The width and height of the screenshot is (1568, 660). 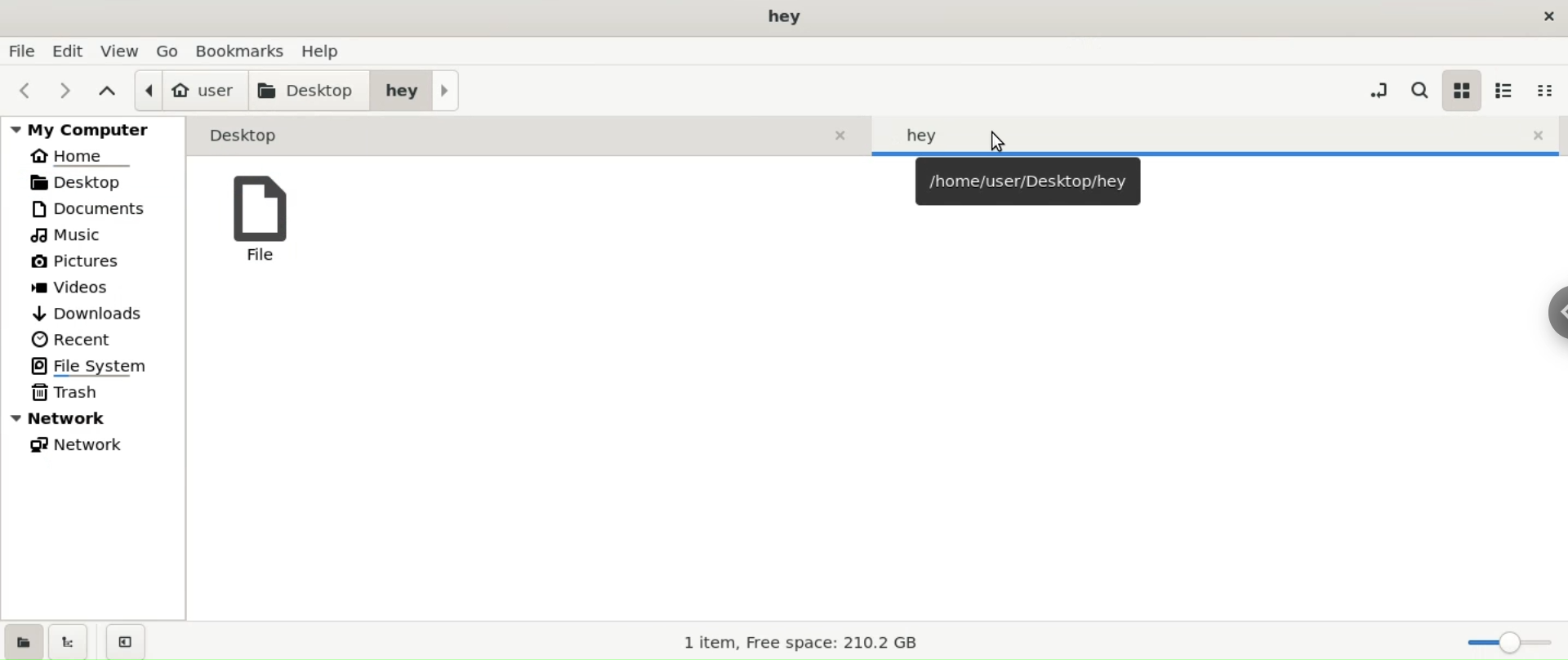 I want to click on network, so click(x=95, y=419).